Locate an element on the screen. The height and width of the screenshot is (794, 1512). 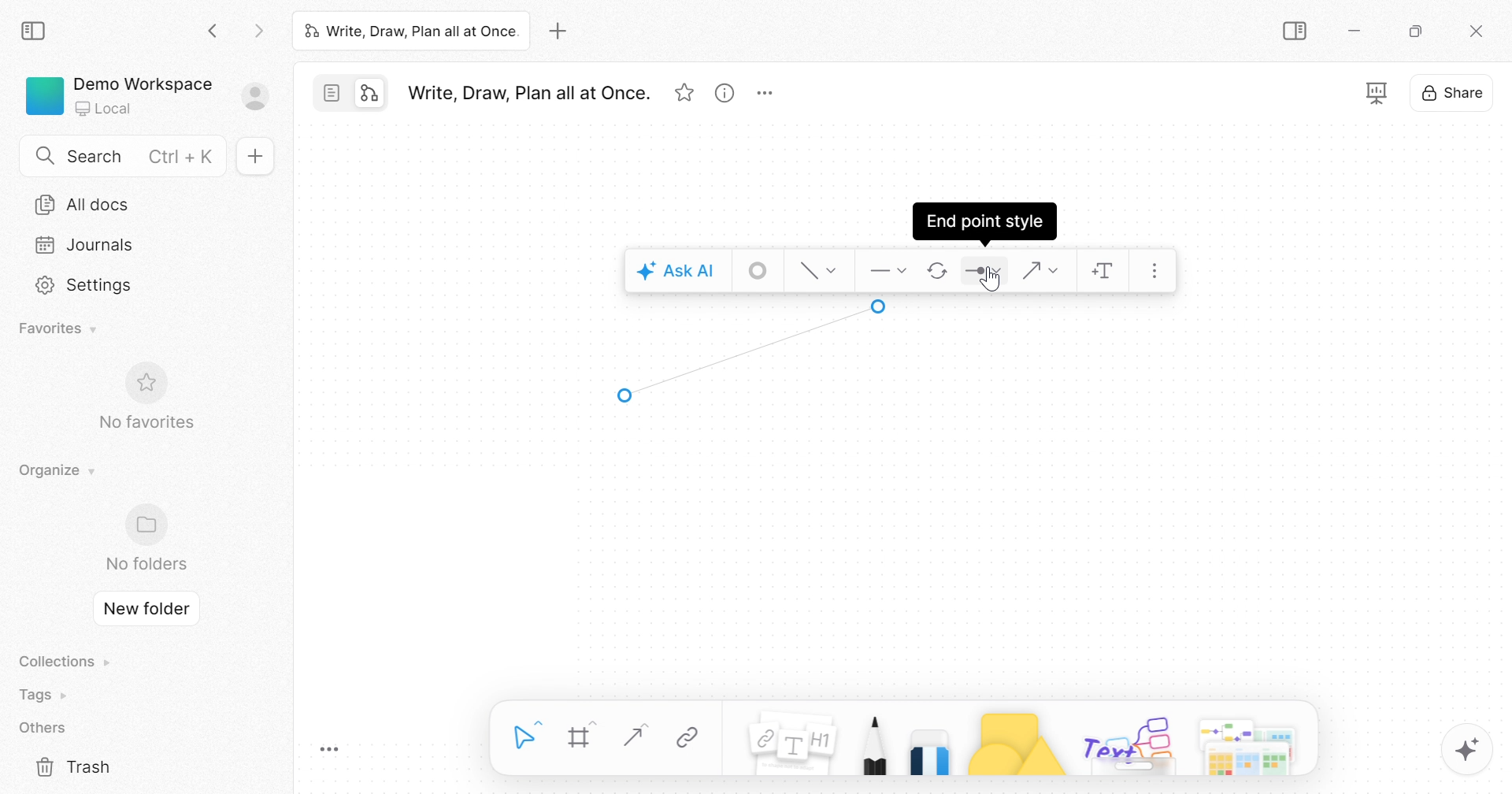
New doc is located at coordinates (258, 157).